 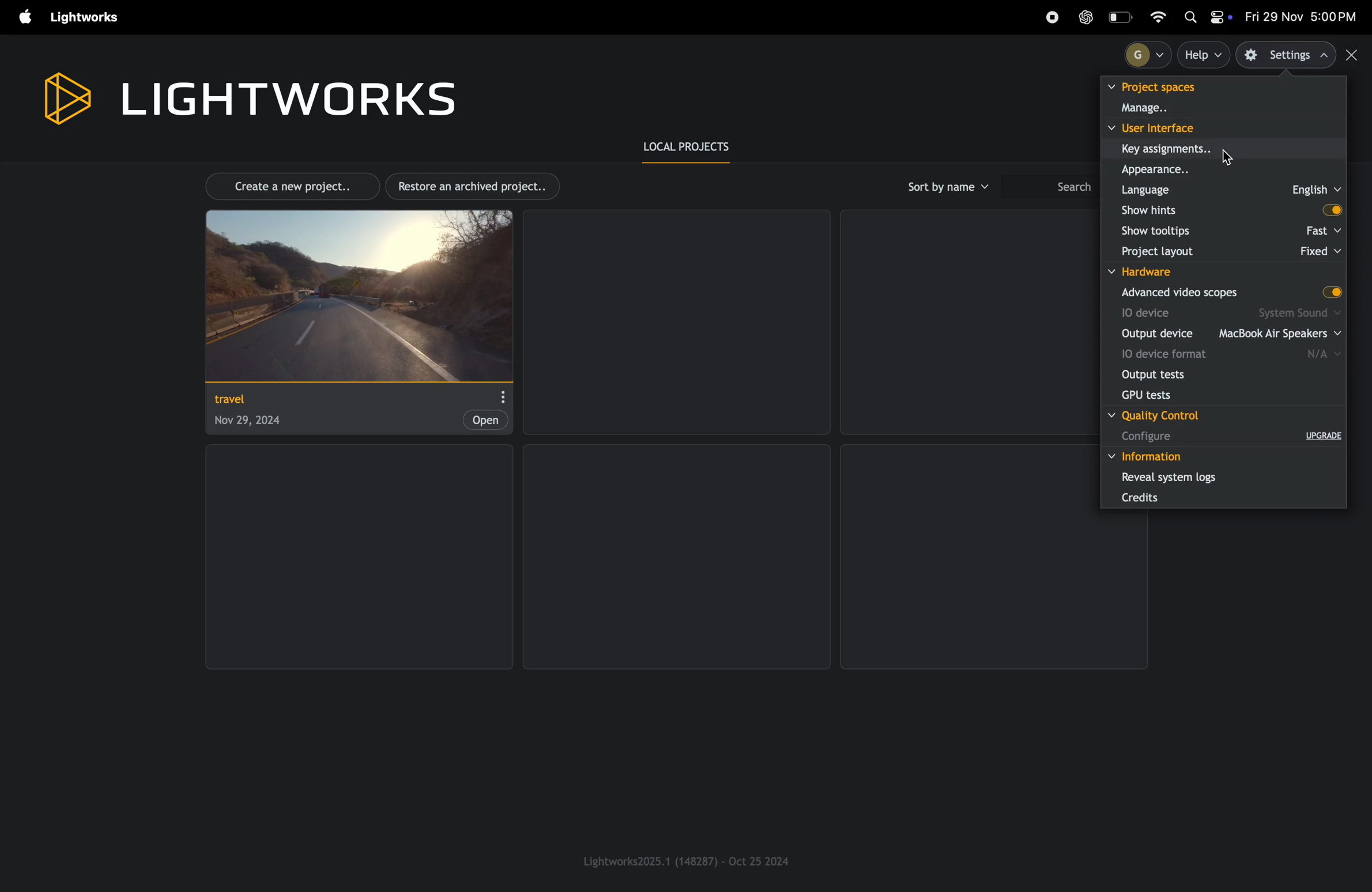 I want to click on wifi, so click(x=1164, y=16).